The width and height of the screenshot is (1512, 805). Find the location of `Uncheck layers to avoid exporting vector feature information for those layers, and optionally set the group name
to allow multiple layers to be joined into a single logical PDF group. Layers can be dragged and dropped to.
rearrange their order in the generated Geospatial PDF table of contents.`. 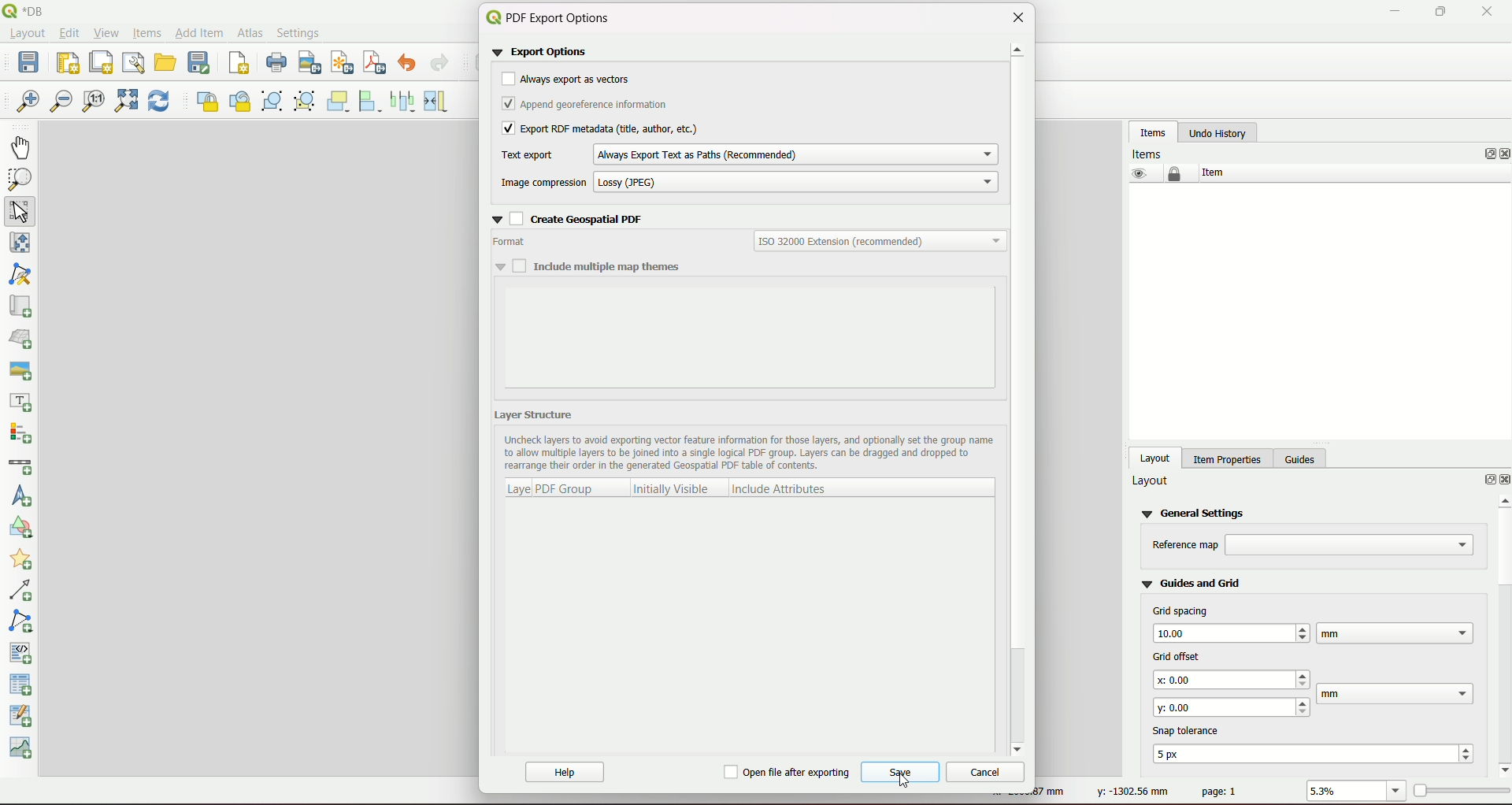

Uncheck layers to avoid exporting vector feature information for those layers, and optionally set the group name
to allow multiple layers to be joined into a single logical PDF group. Layers can be dragged and dropped to.
rearrange their order in the generated Geospatial PDF table of contents. is located at coordinates (749, 454).